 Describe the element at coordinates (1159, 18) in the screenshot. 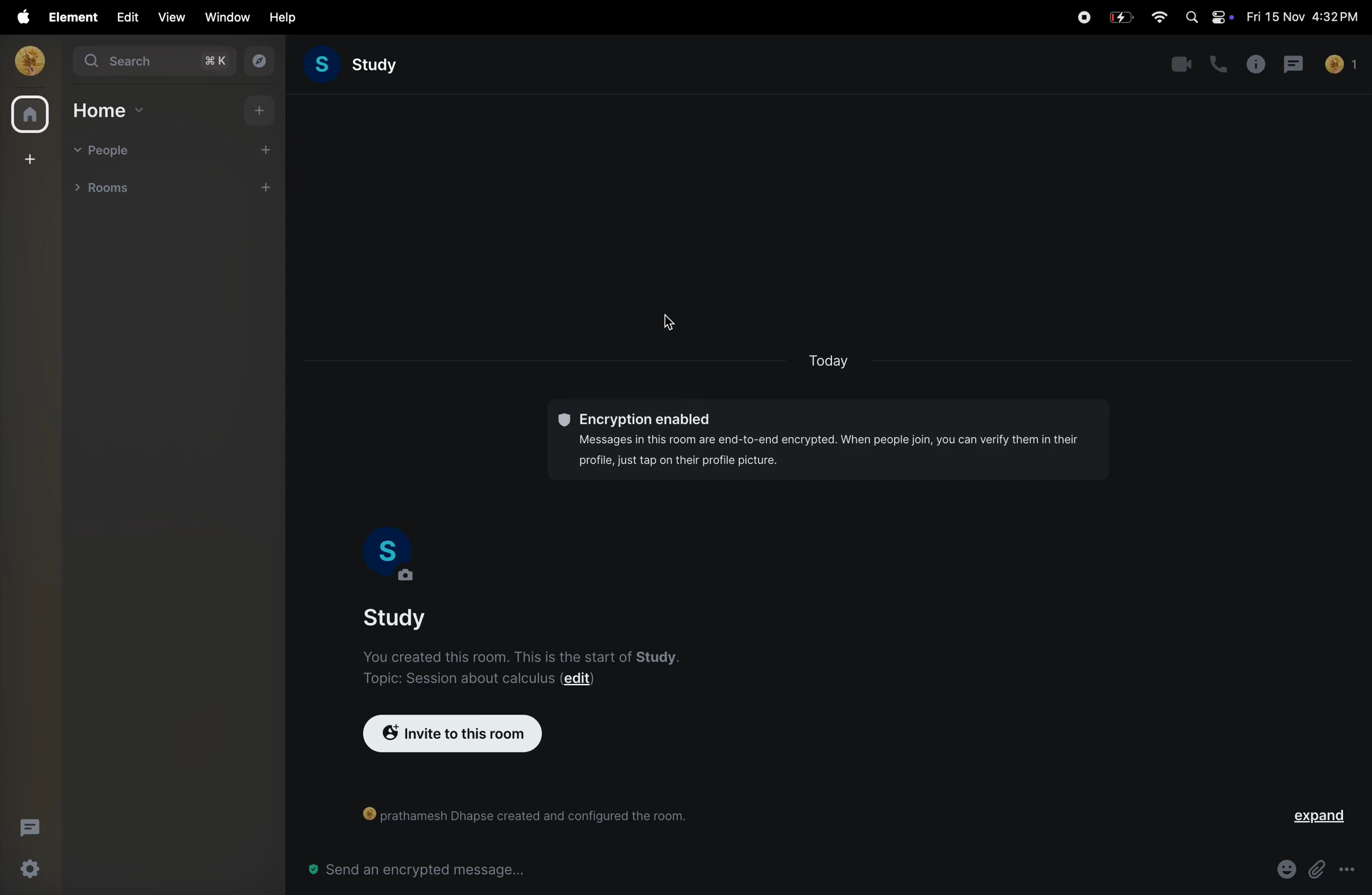

I see `wifi` at that location.